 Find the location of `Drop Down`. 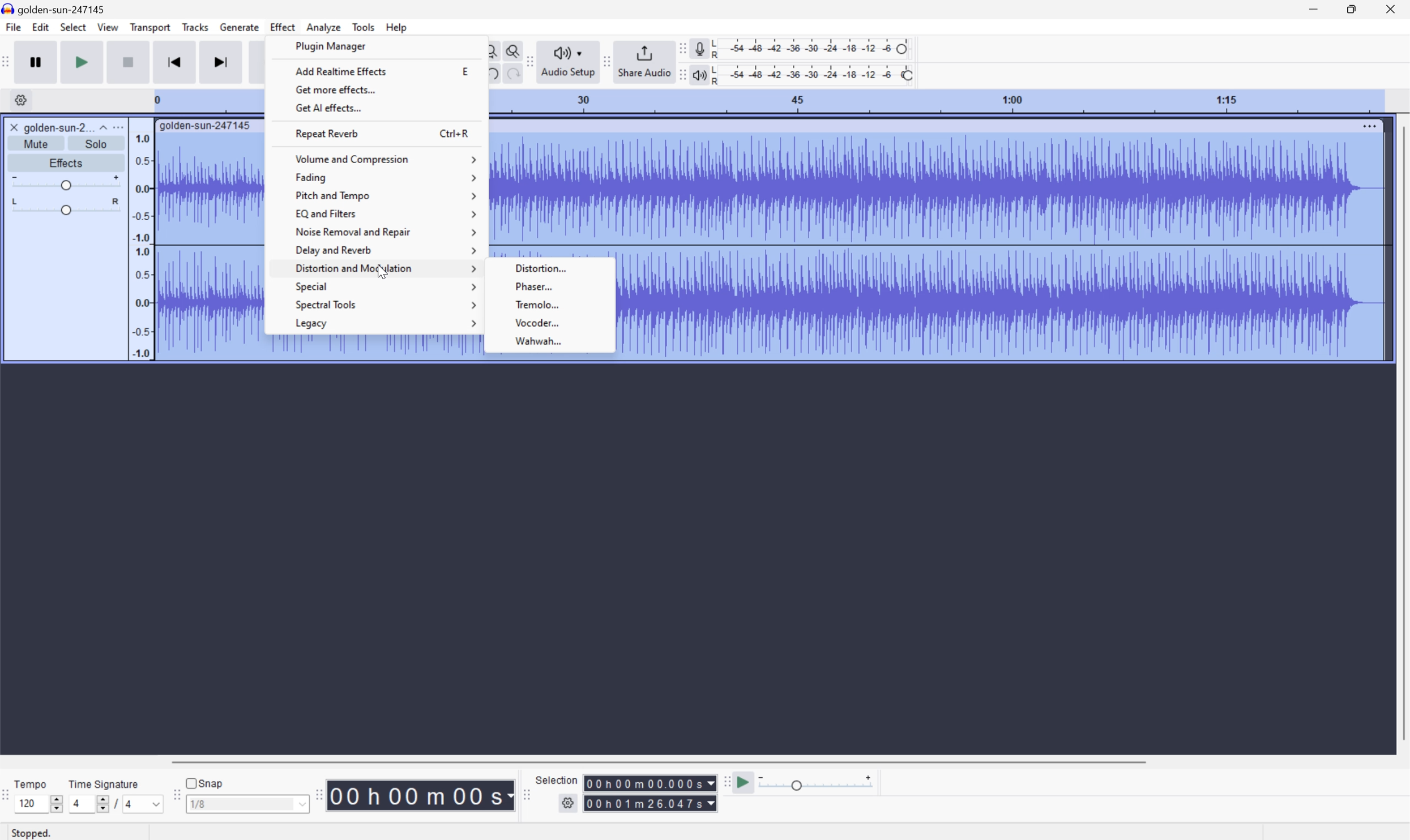

Drop Down is located at coordinates (101, 126).